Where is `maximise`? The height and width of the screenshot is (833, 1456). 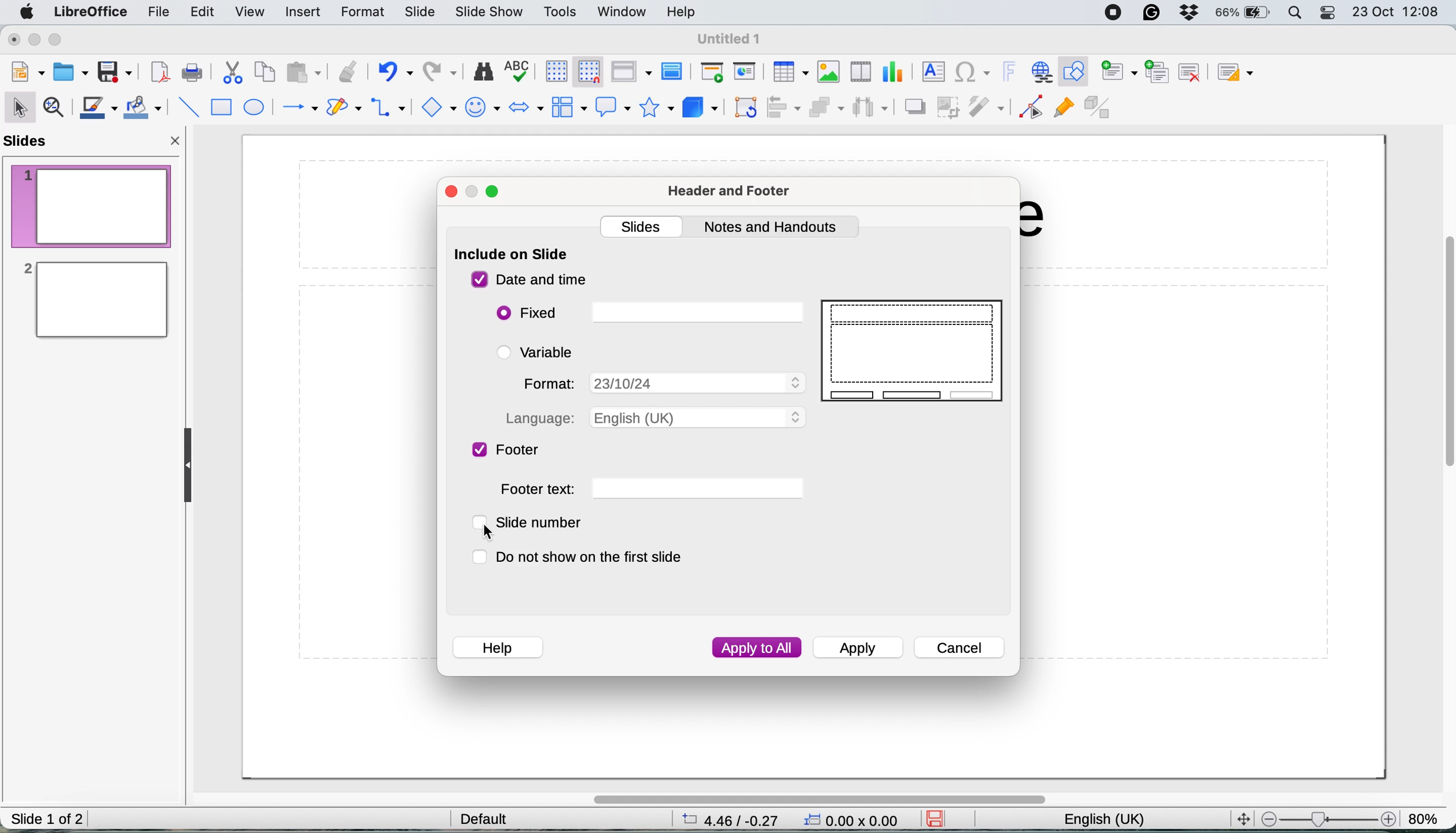 maximise is located at coordinates (61, 41).